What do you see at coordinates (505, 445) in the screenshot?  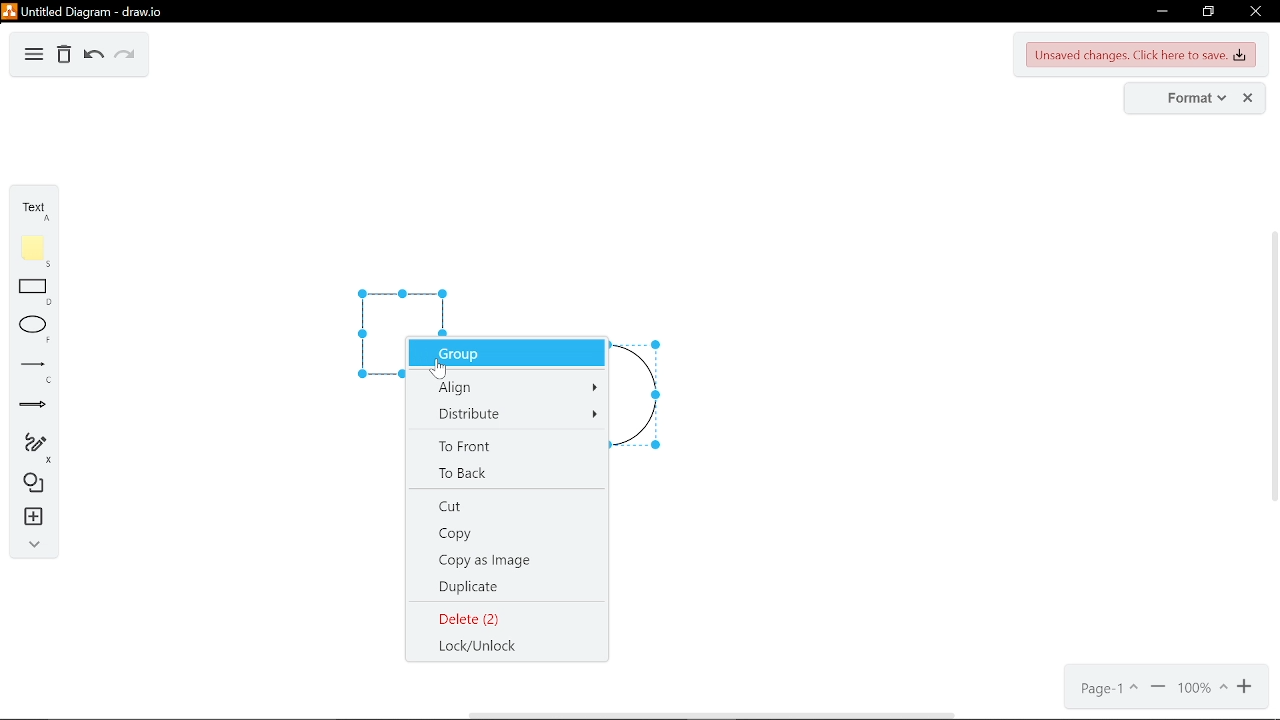 I see `to front` at bounding box center [505, 445].